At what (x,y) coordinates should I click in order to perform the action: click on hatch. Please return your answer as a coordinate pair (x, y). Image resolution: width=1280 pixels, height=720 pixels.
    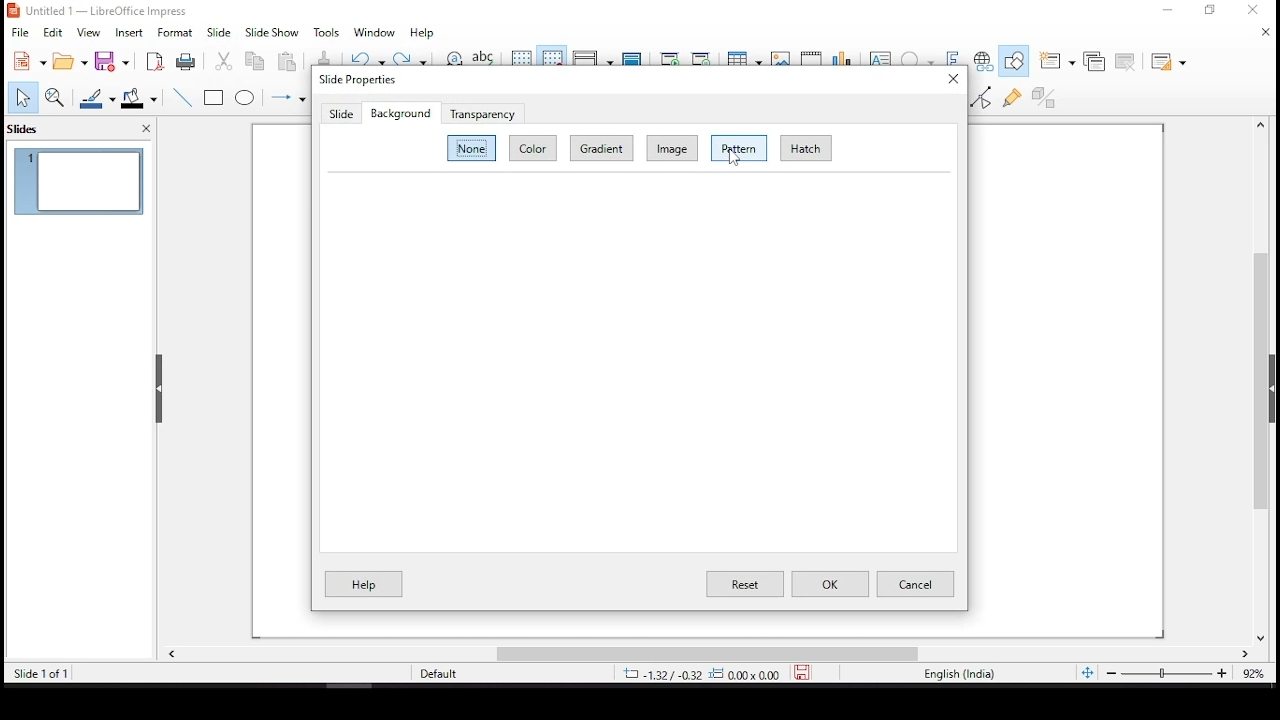
    Looking at the image, I should click on (805, 147).